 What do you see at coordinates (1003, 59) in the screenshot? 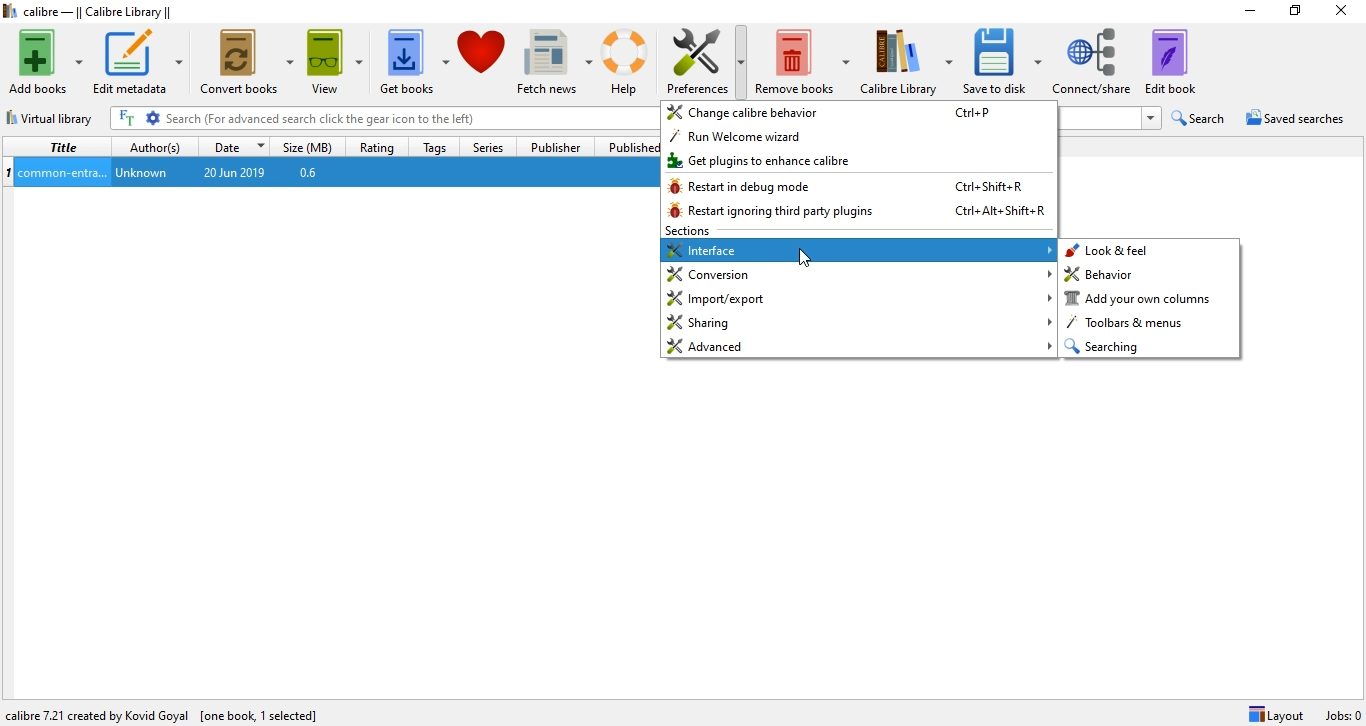
I see `` at bounding box center [1003, 59].